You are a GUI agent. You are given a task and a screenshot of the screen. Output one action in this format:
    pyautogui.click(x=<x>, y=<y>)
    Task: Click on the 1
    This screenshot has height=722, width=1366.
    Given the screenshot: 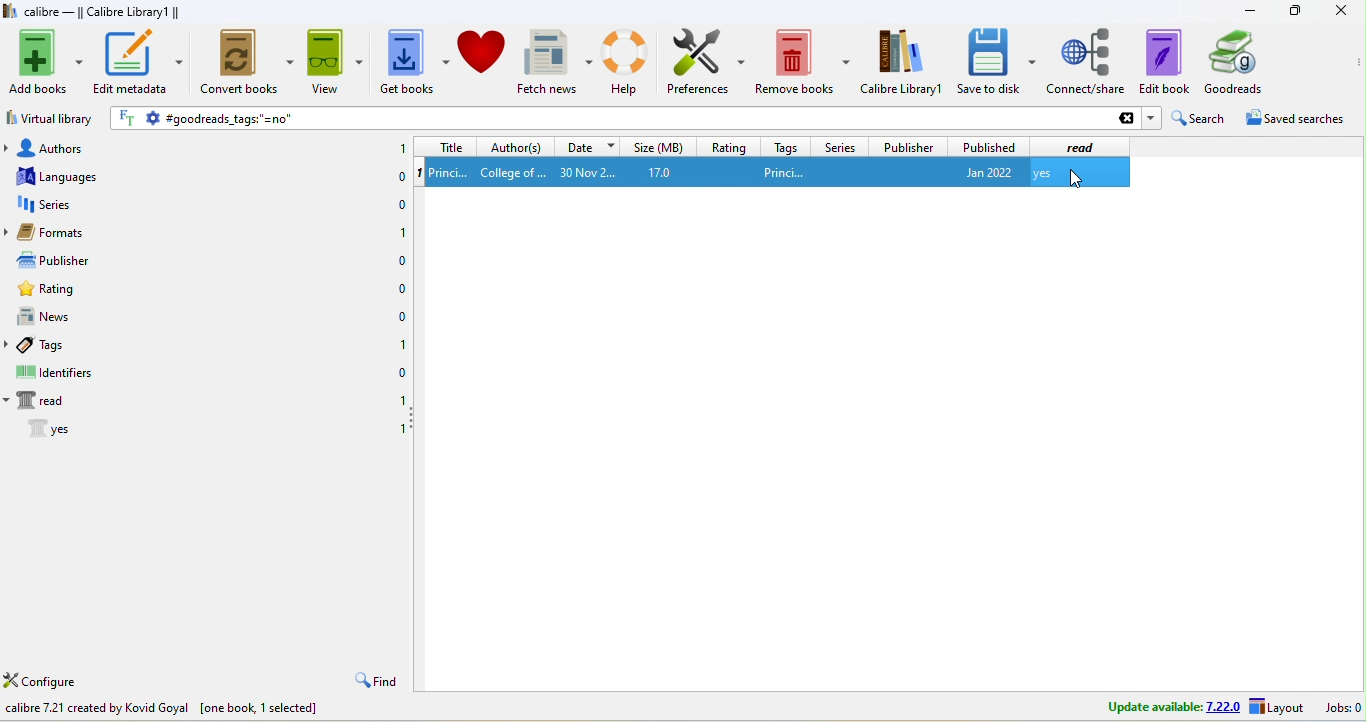 What is the action you would take?
    pyautogui.click(x=417, y=174)
    